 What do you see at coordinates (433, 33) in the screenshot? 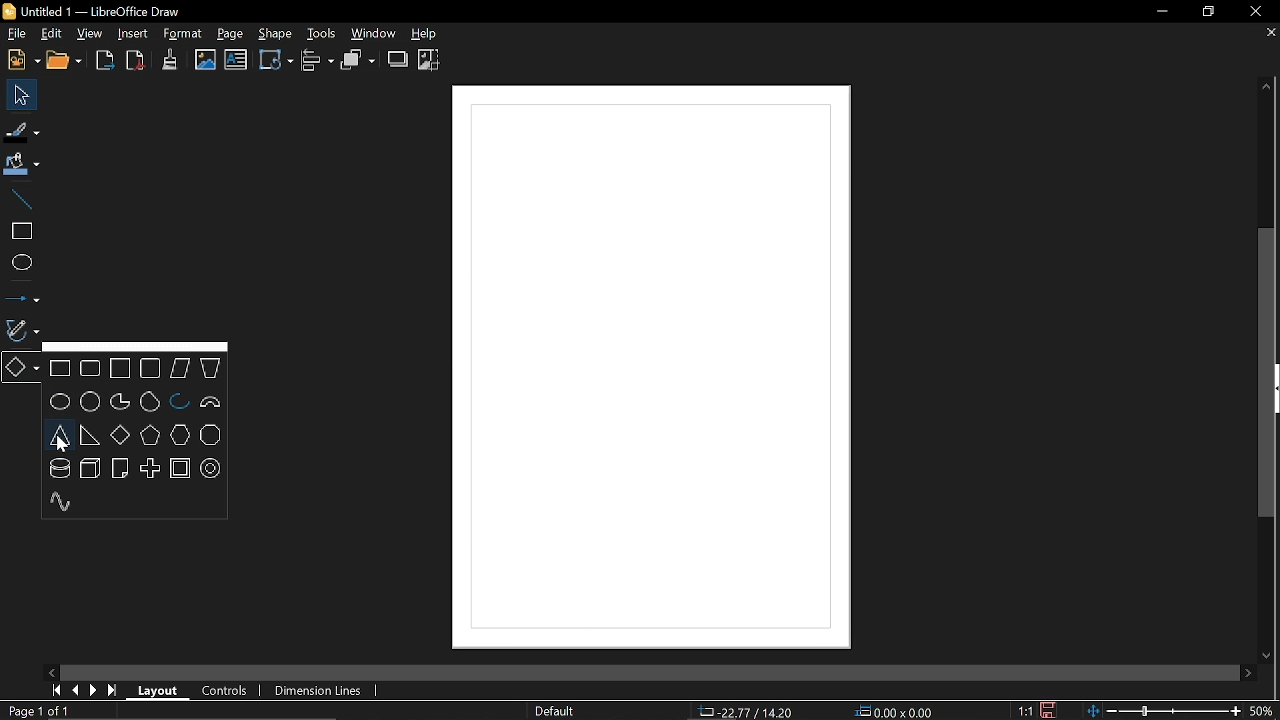
I see `Help` at bounding box center [433, 33].